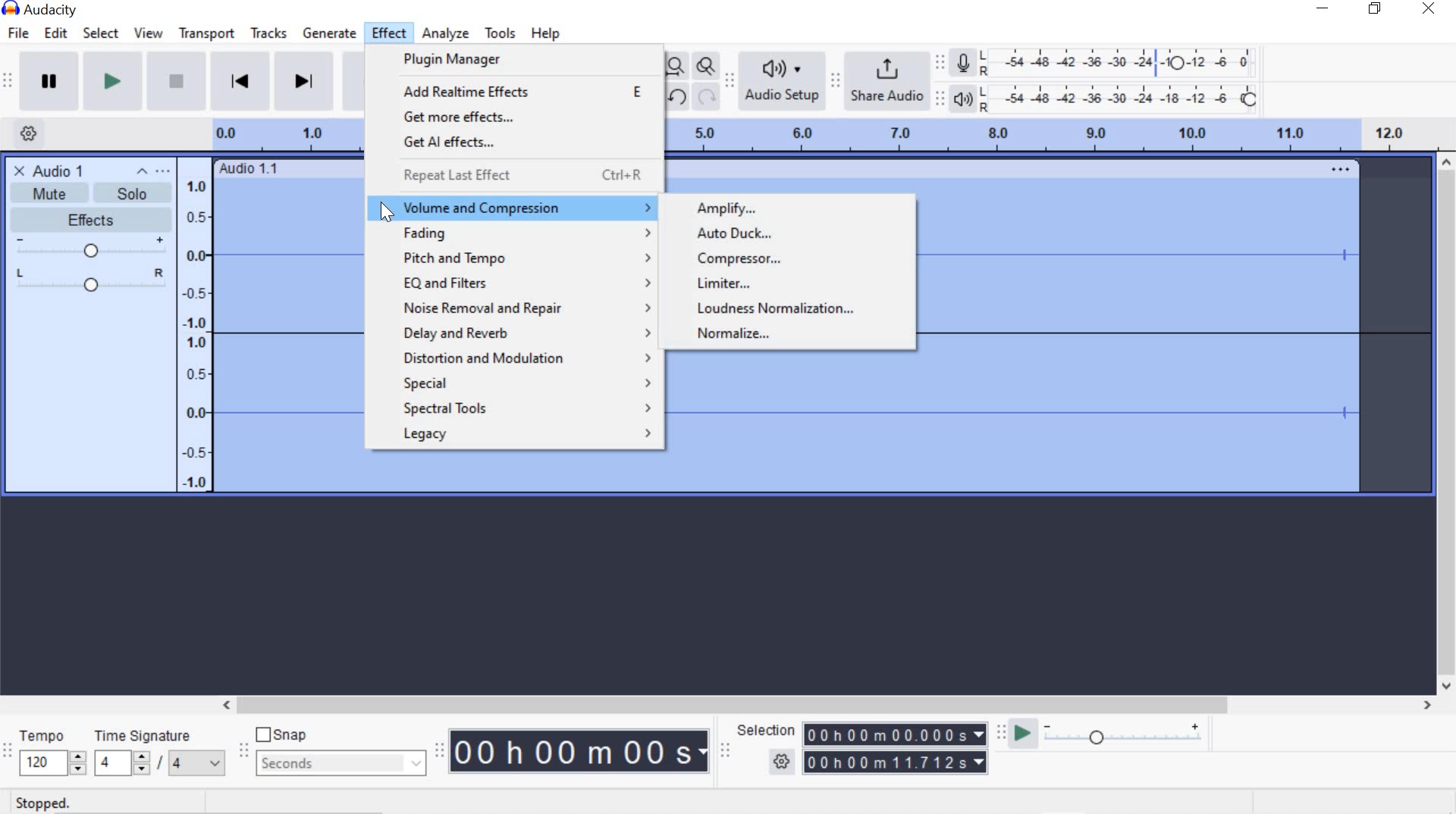 This screenshot has height=814, width=1456. Describe the element at coordinates (90, 397) in the screenshot. I see `Select or Deselect Track` at that location.